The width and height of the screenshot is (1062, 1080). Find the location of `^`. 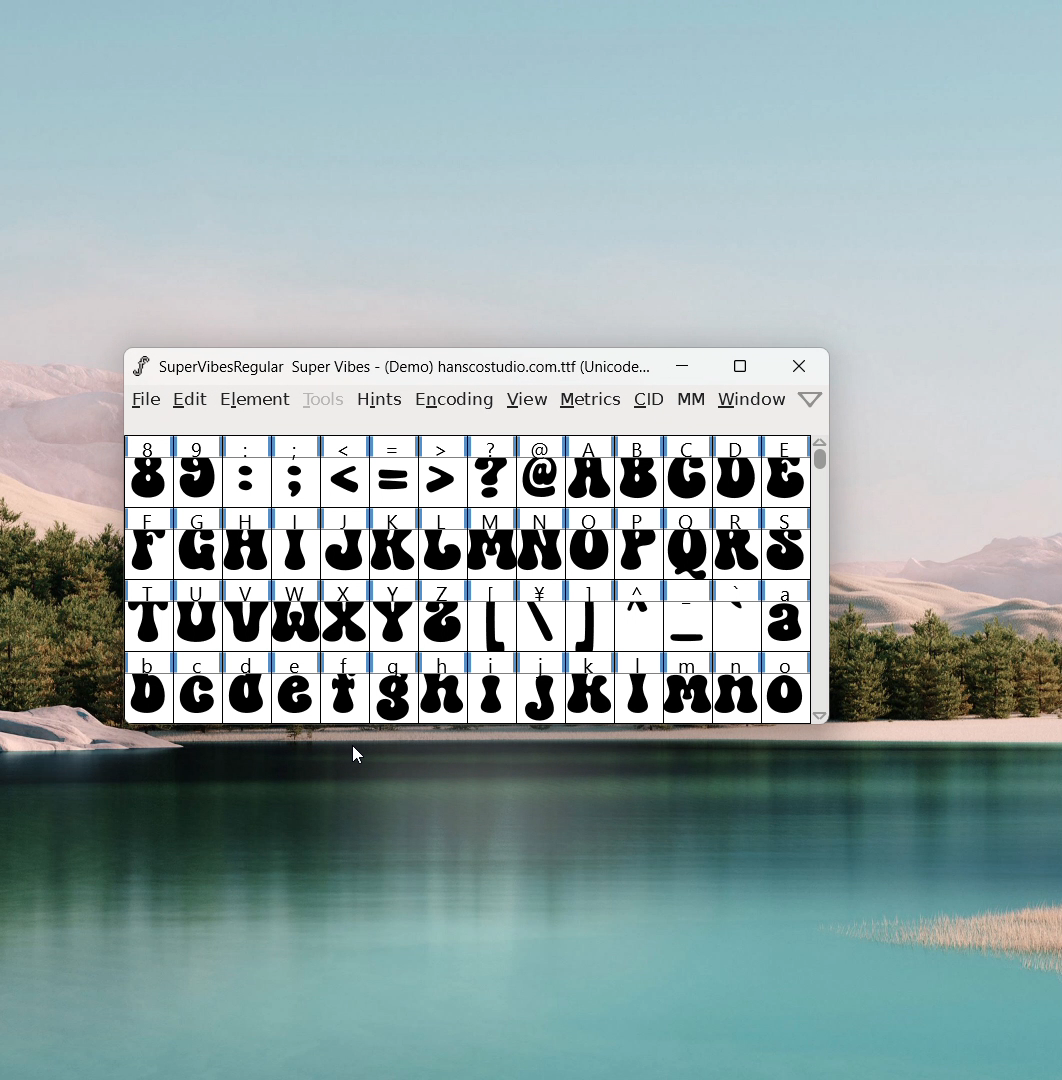

^ is located at coordinates (638, 616).